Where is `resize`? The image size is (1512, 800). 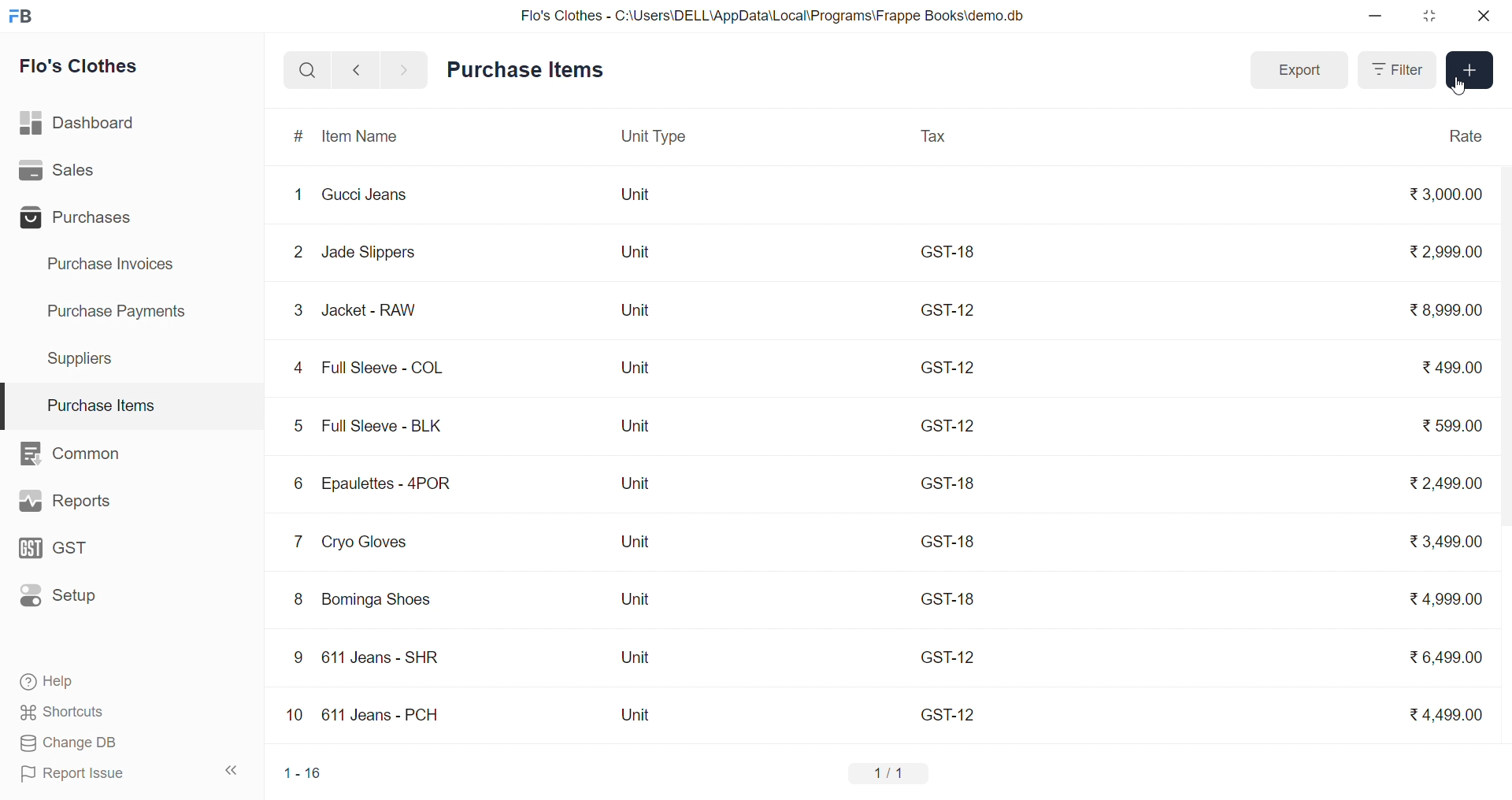 resize is located at coordinates (1430, 16).